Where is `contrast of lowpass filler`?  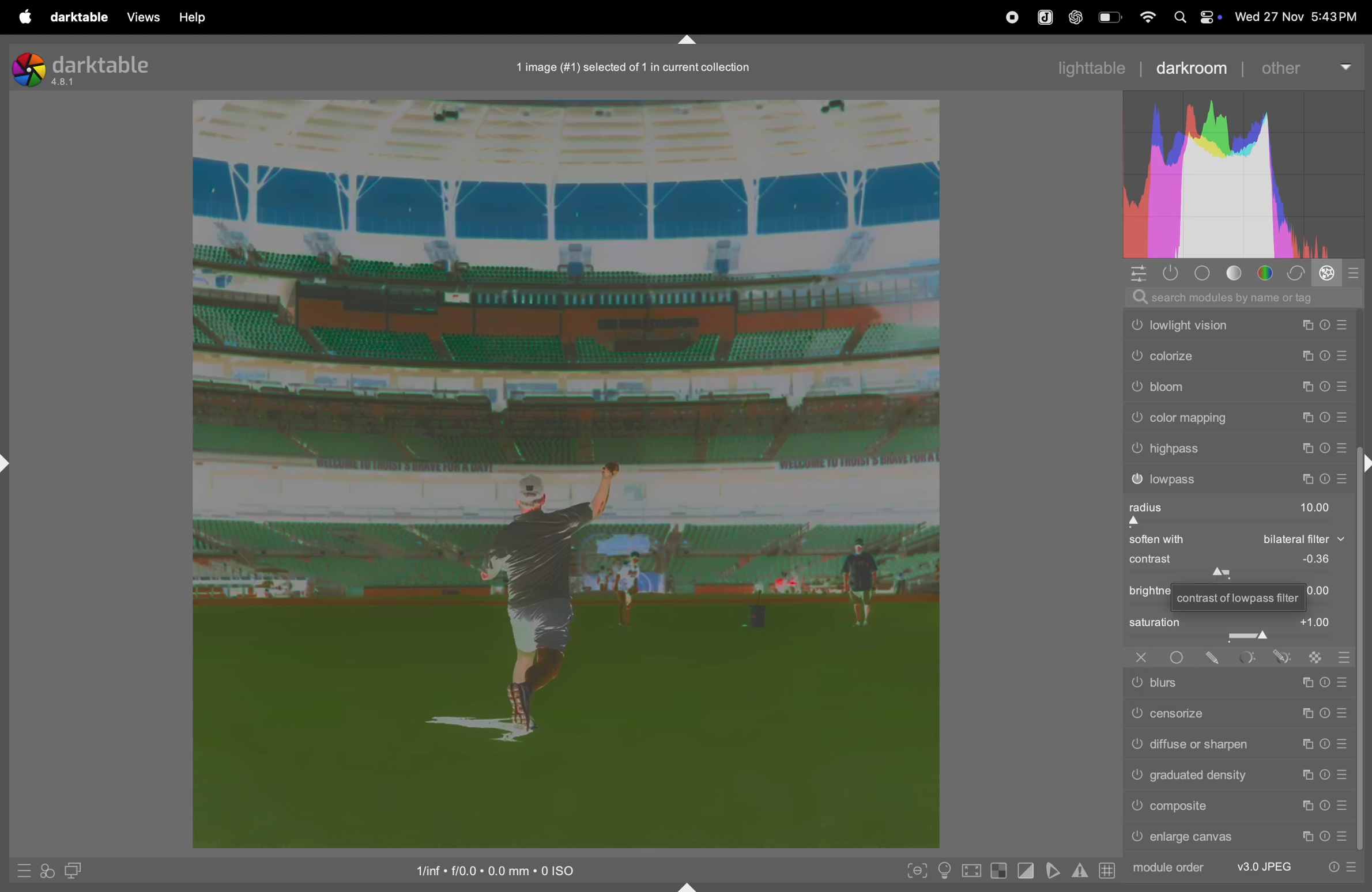
contrast of lowpass filler is located at coordinates (1235, 597).